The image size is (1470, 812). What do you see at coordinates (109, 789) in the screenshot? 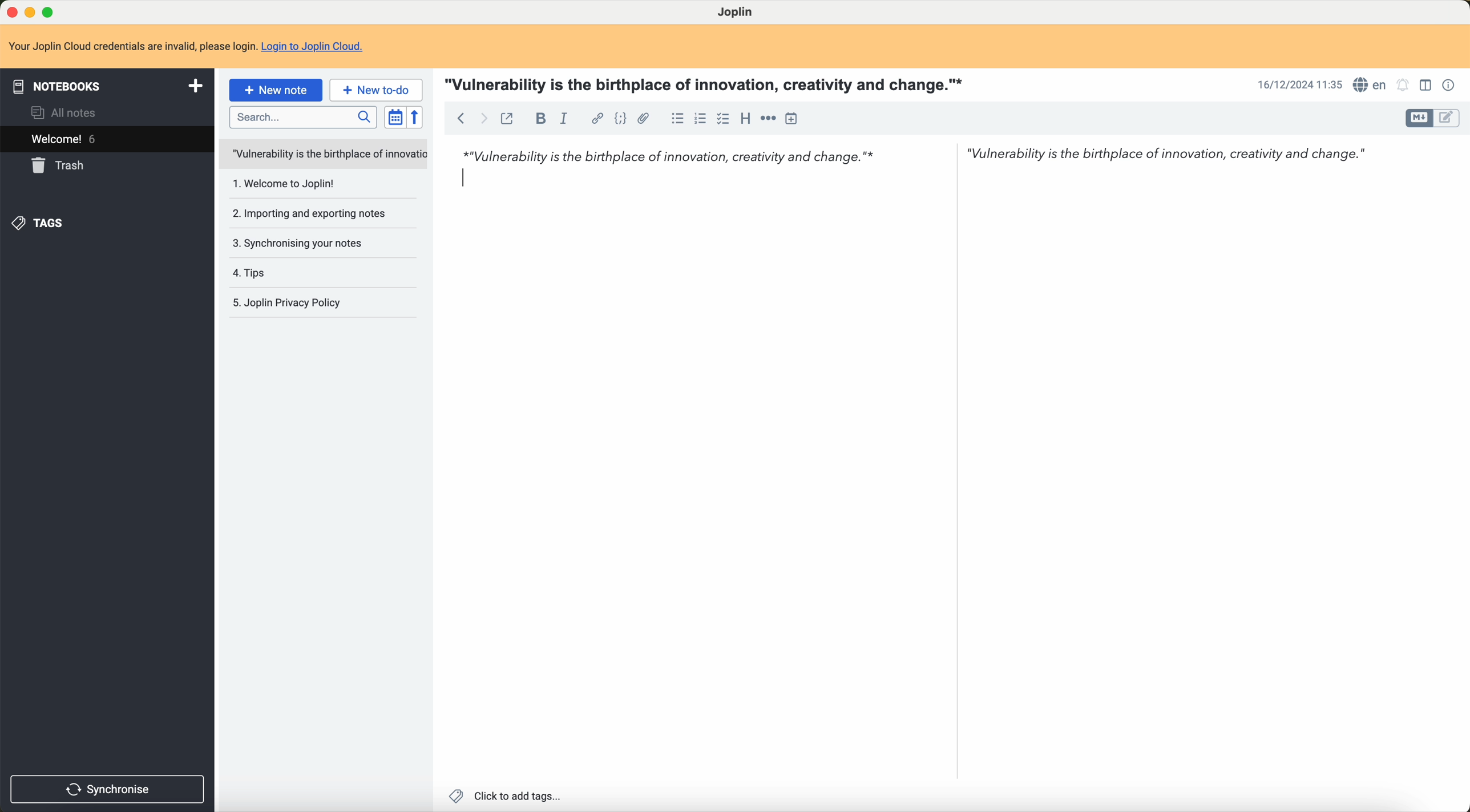
I see `synchronise` at bounding box center [109, 789].